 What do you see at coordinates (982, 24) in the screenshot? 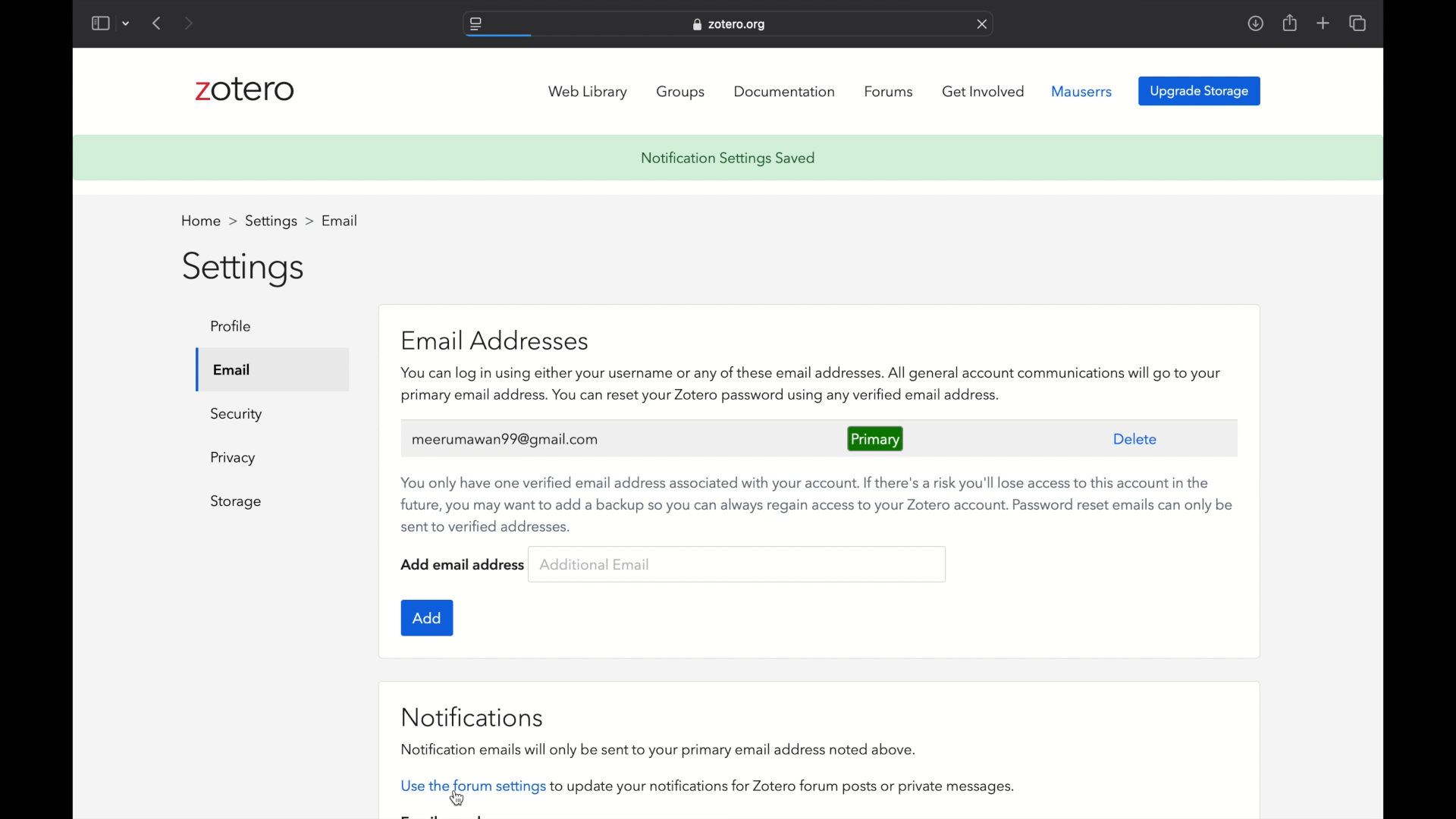
I see `refresh` at bounding box center [982, 24].